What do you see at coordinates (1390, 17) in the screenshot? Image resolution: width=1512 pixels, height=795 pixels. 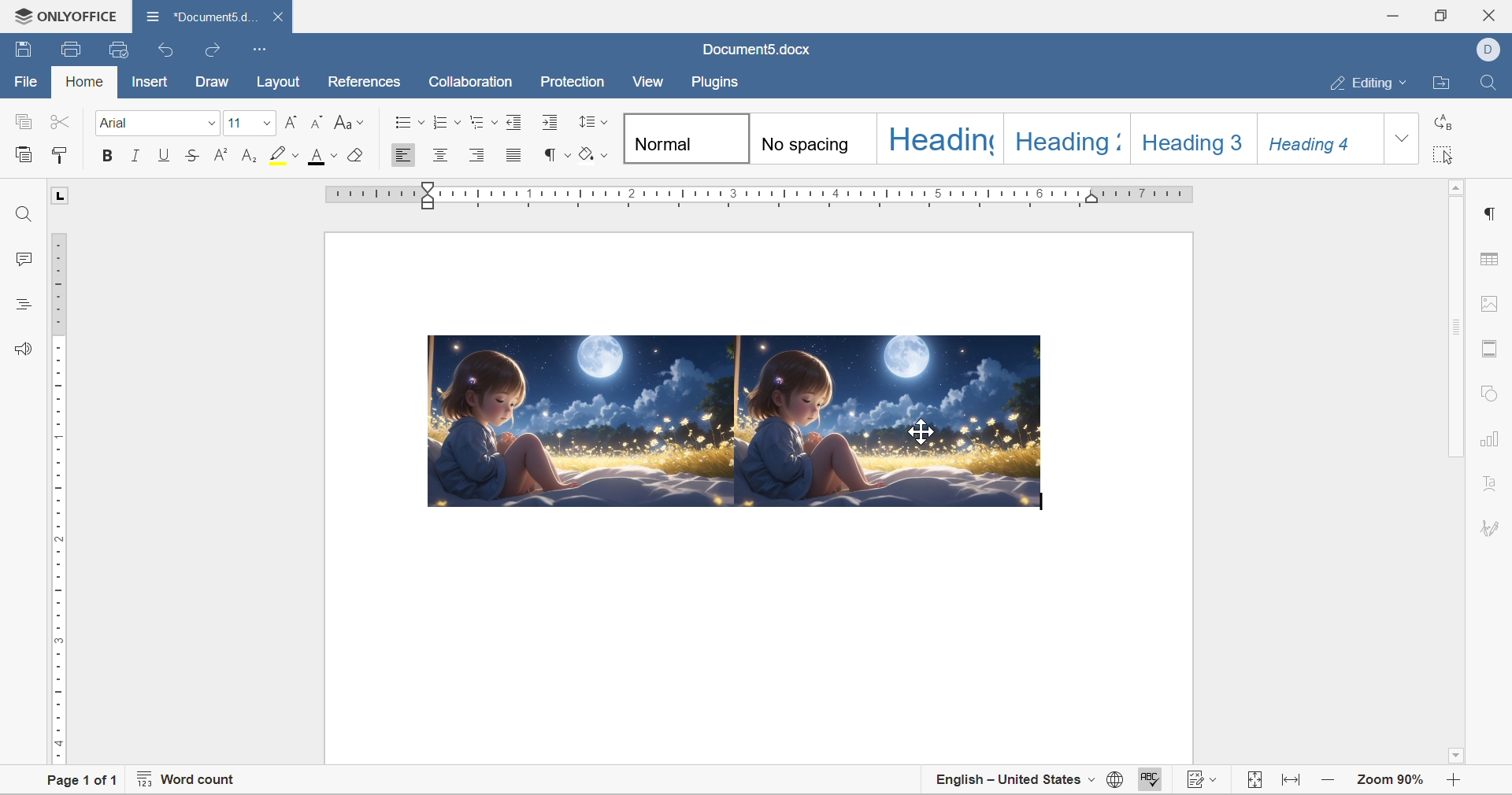 I see `minimize` at bounding box center [1390, 17].